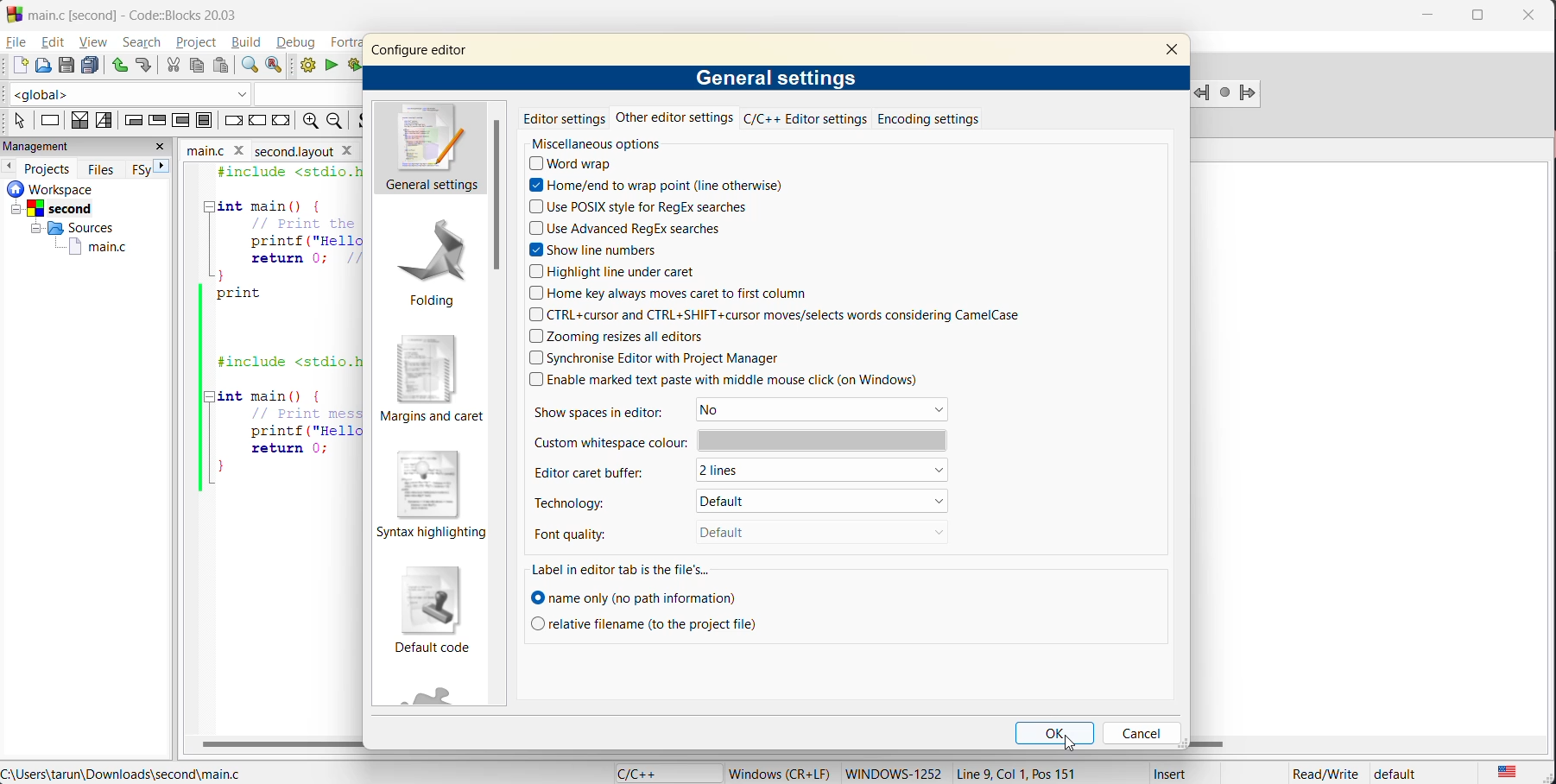 The image size is (1556, 784). Describe the element at coordinates (169, 65) in the screenshot. I see `cut` at that location.